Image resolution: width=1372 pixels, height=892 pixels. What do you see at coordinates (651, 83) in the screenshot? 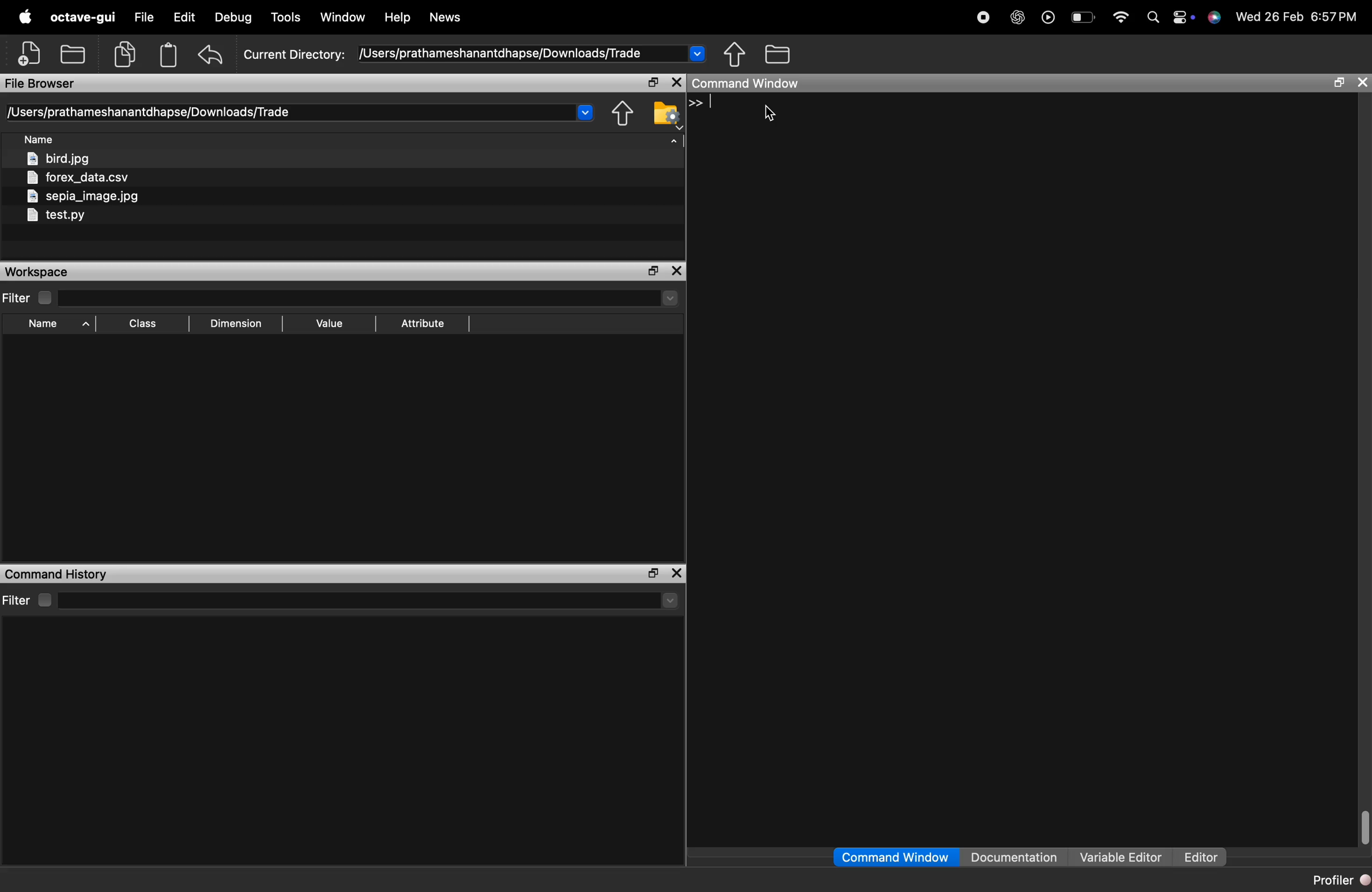
I see `maximize` at bounding box center [651, 83].